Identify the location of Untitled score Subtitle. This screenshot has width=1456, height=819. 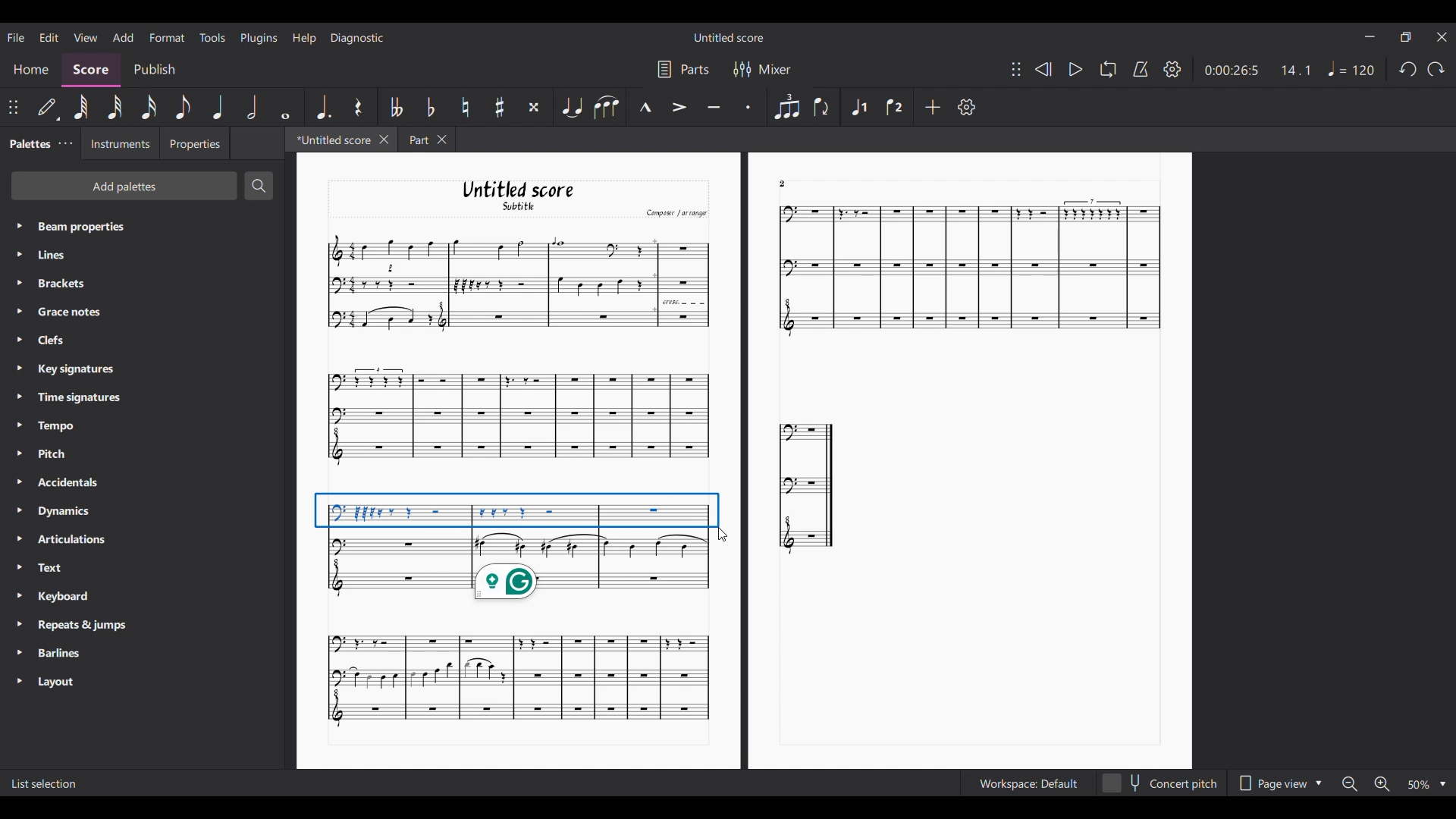
(532, 196).